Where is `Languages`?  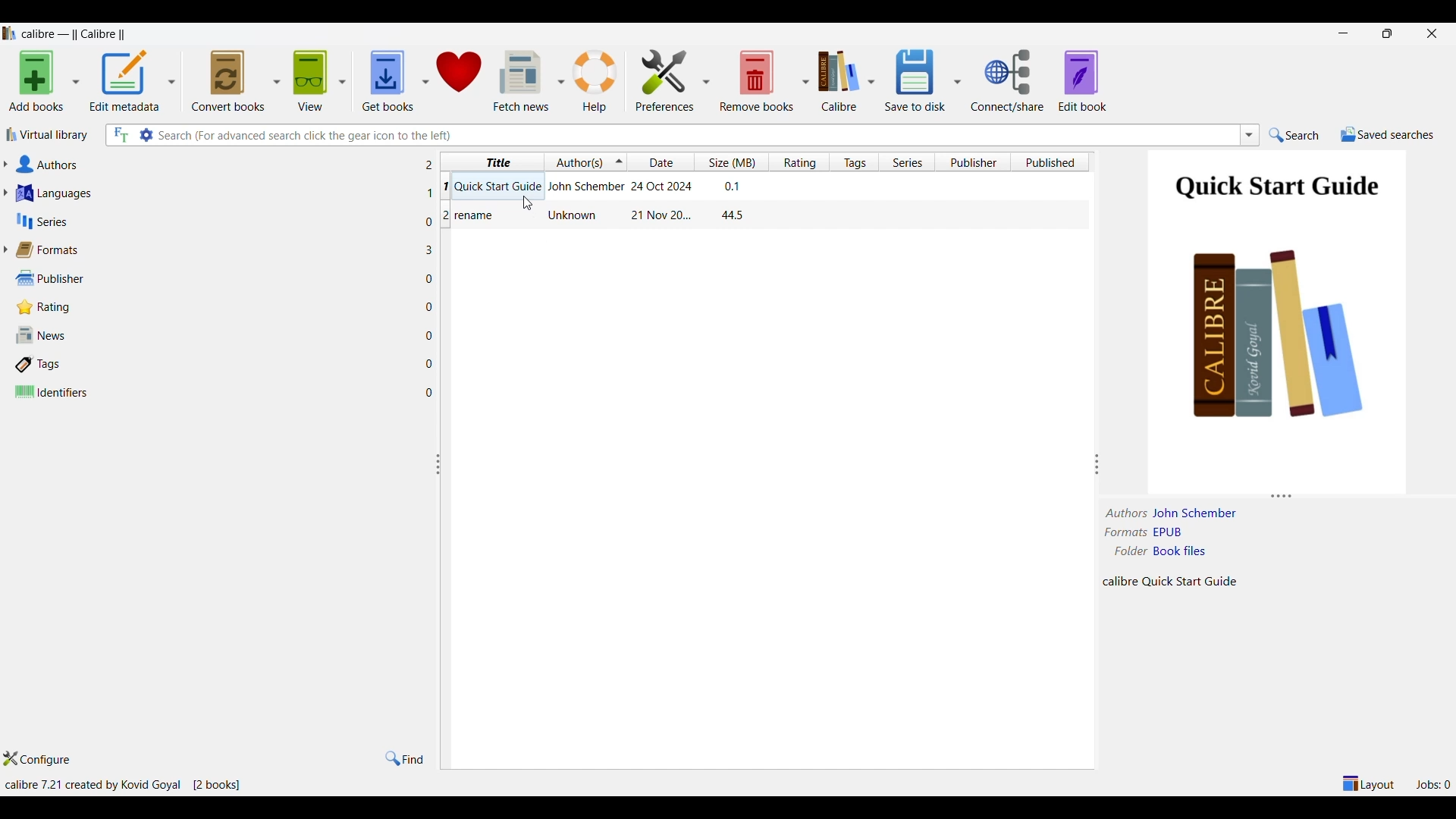
Languages is located at coordinates (216, 193).